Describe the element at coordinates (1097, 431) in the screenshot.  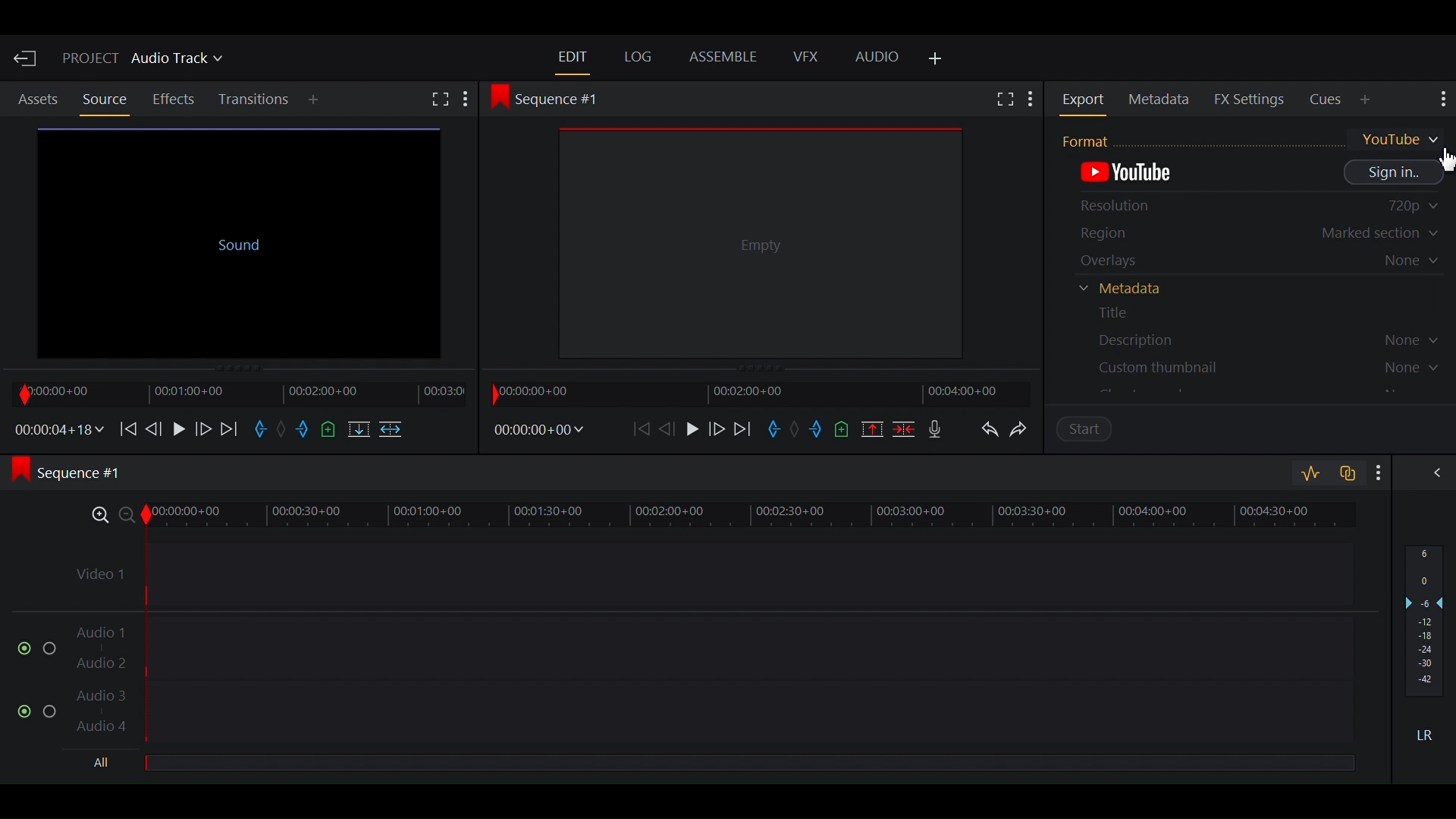
I see `Start` at that location.